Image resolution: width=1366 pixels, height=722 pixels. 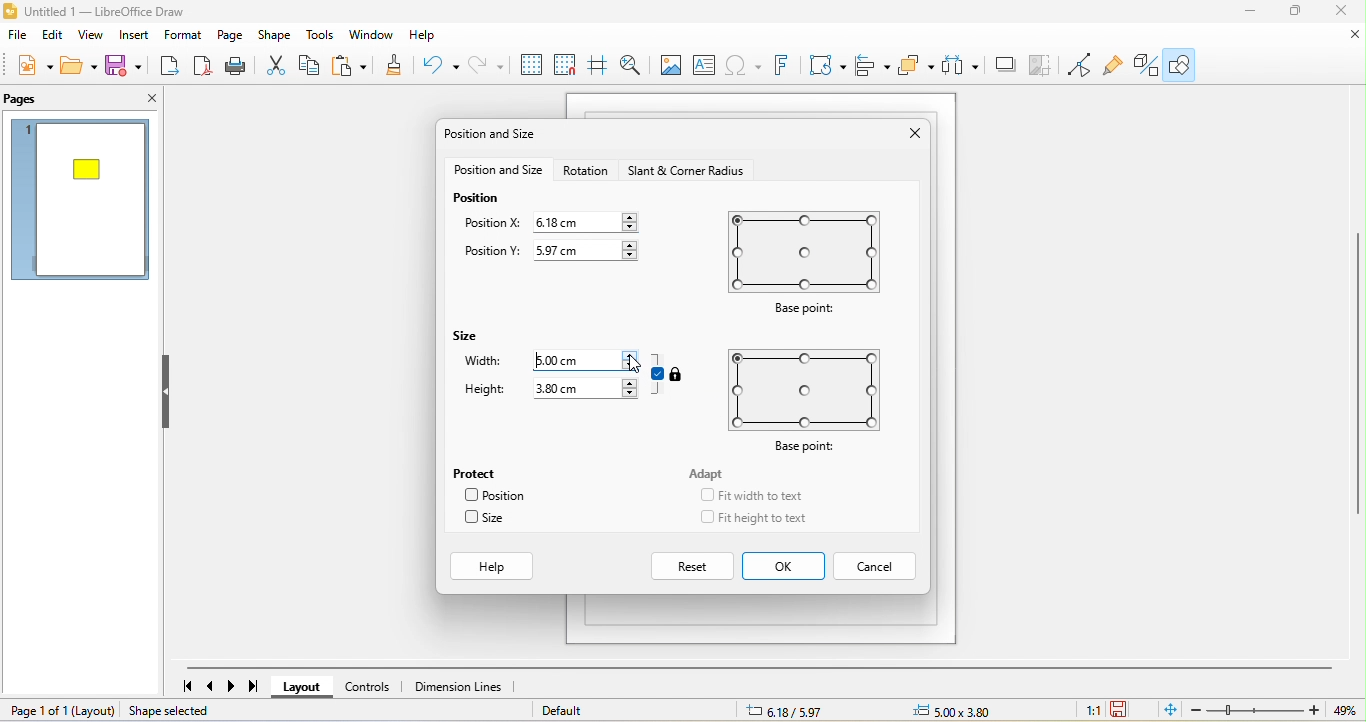 What do you see at coordinates (181, 712) in the screenshot?
I see `shape selected` at bounding box center [181, 712].